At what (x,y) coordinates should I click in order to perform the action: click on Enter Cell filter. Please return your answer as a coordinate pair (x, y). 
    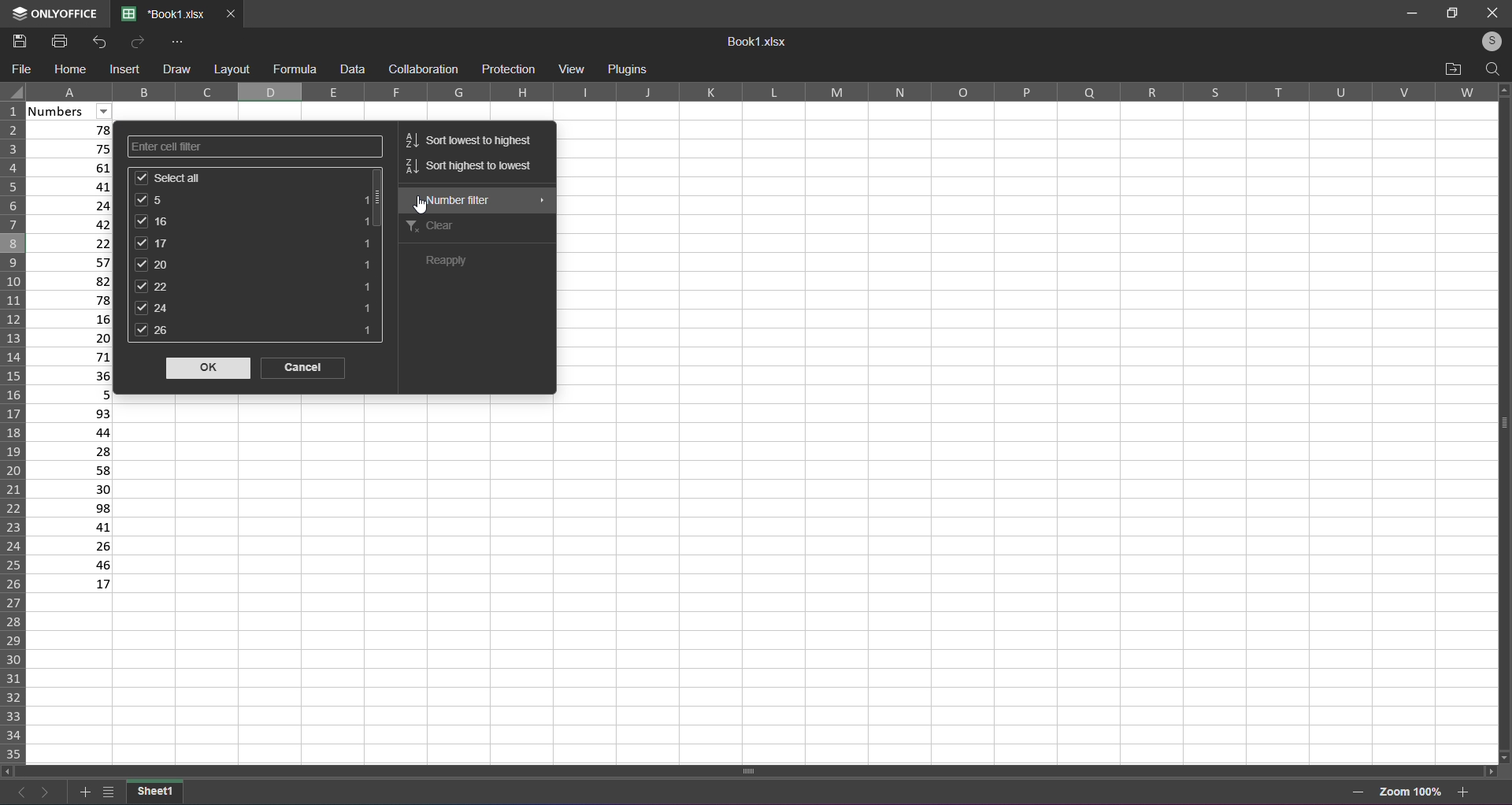
    Looking at the image, I should click on (252, 146).